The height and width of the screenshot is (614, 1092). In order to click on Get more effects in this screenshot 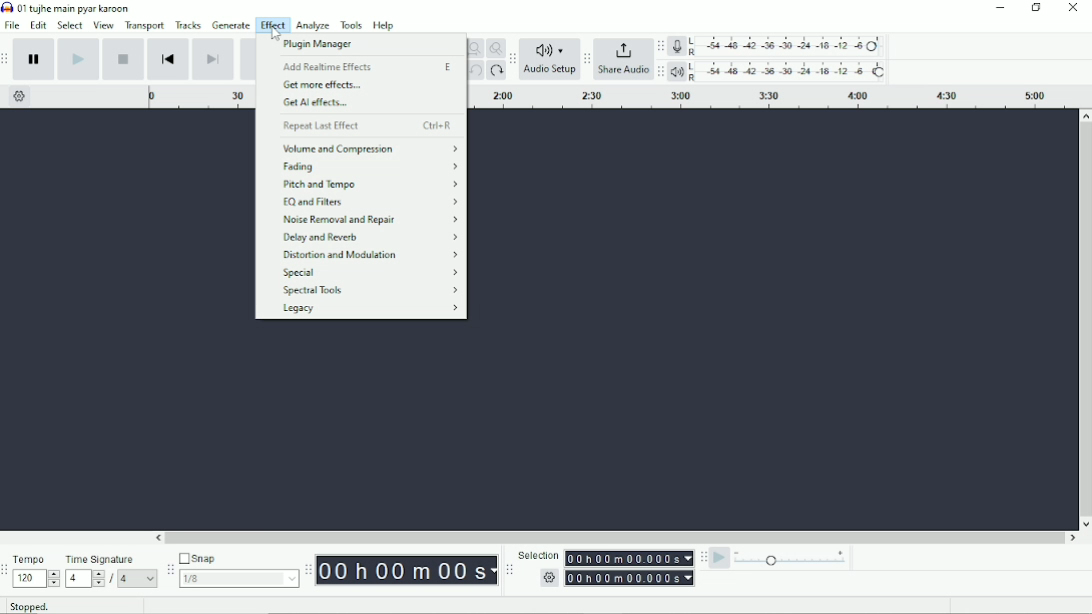, I will do `click(324, 86)`.